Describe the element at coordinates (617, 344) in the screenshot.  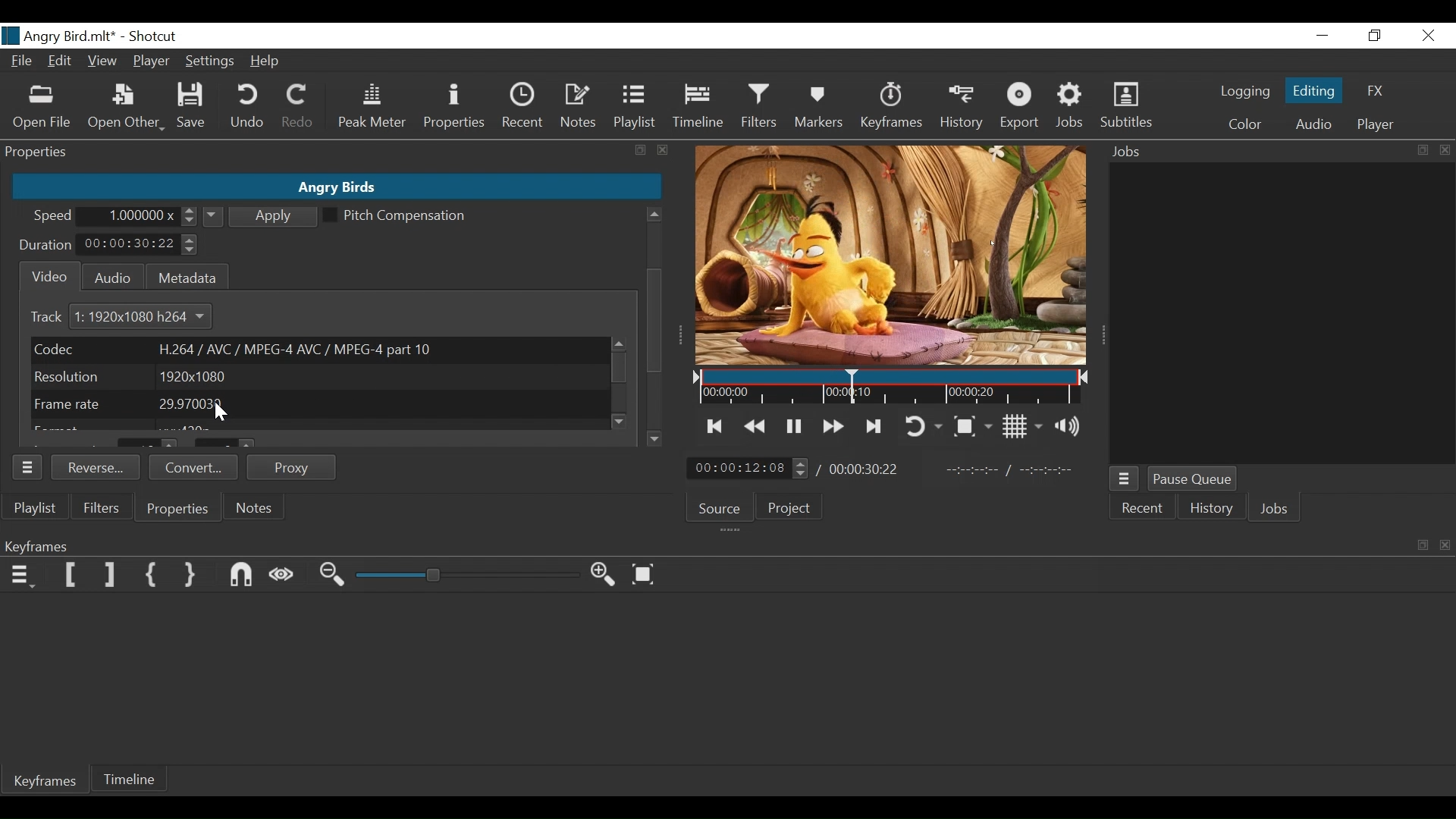
I see `Scroll up` at that location.